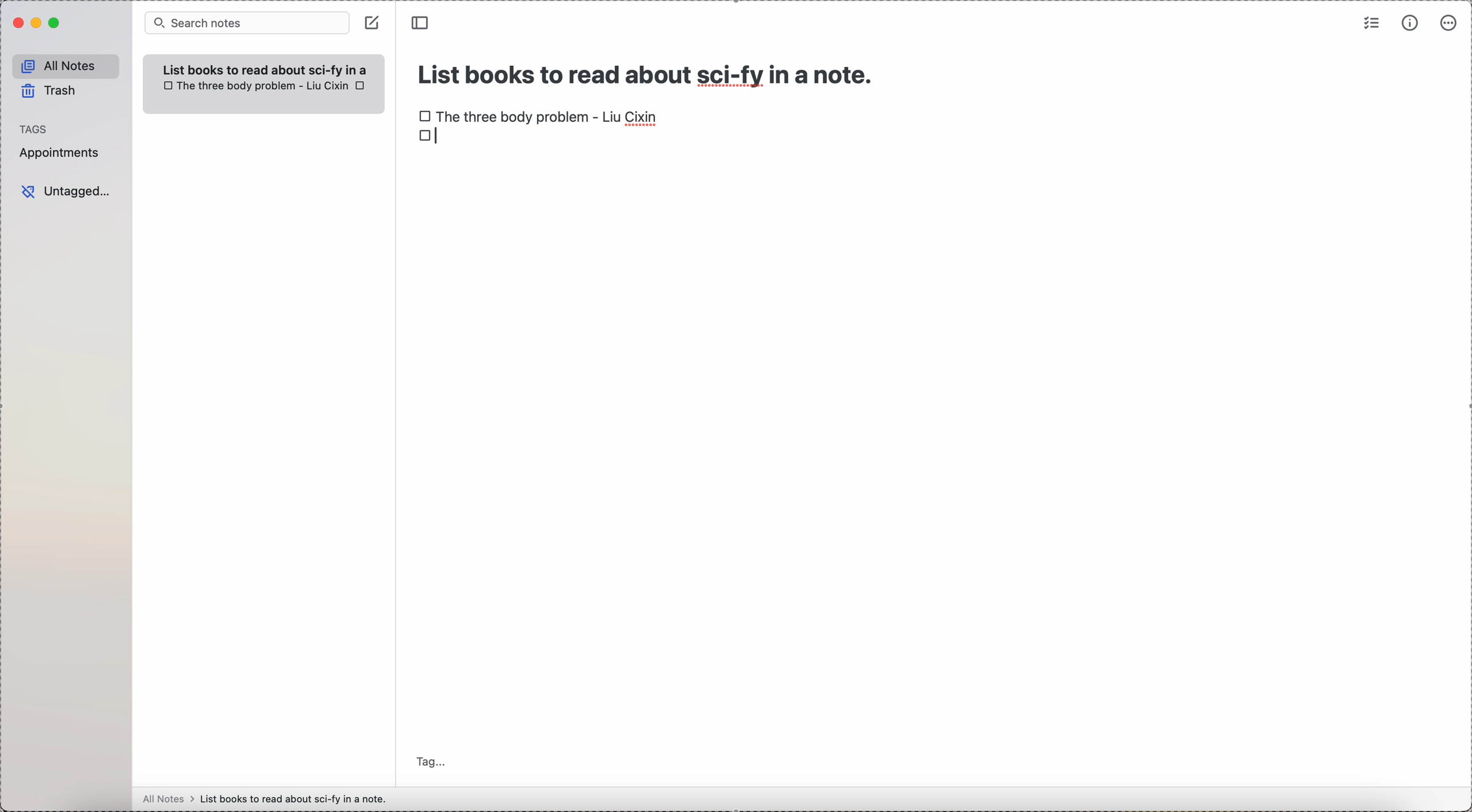  What do you see at coordinates (246, 23) in the screenshot?
I see `search bar` at bounding box center [246, 23].